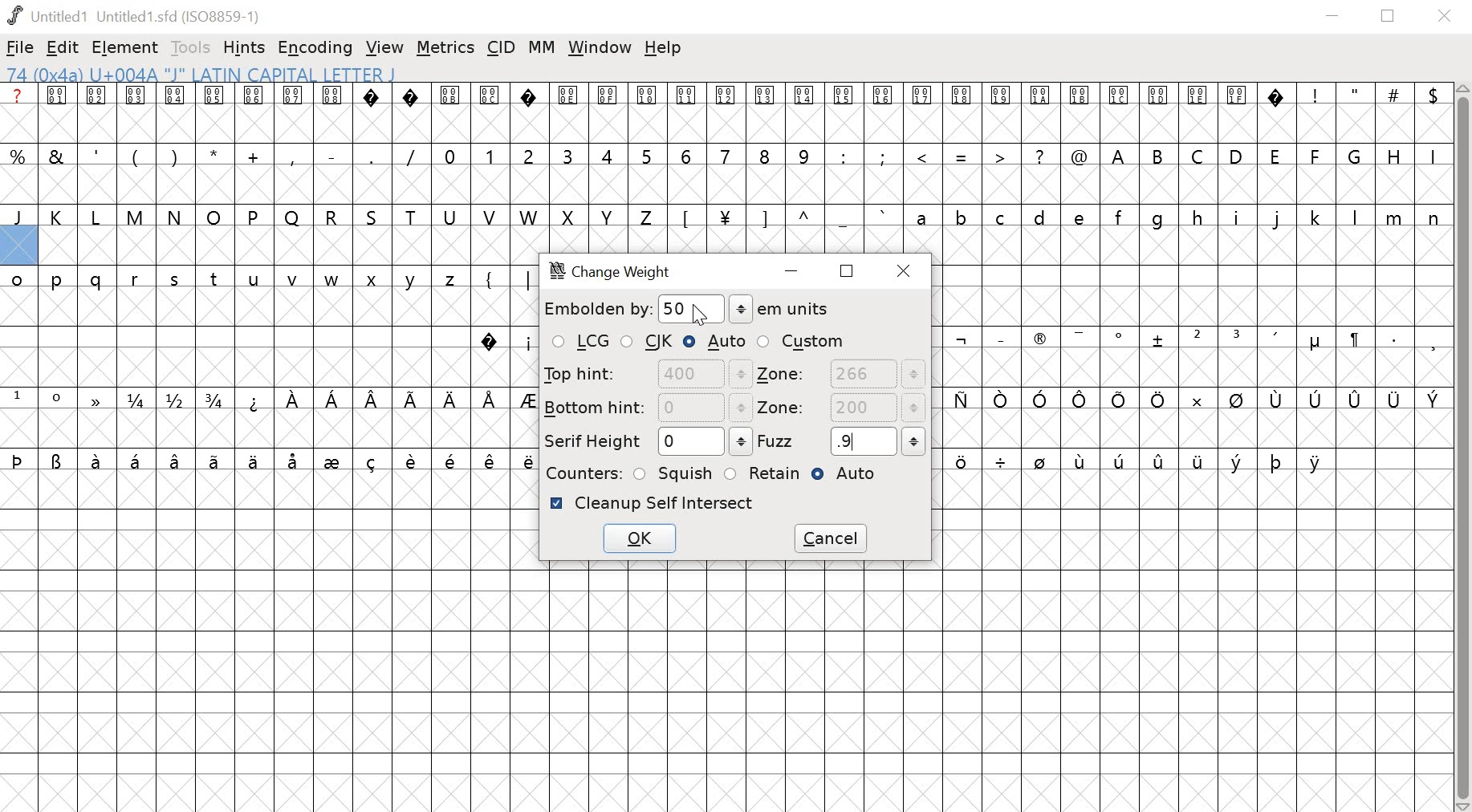 The image size is (1472, 812). I want to click on CUSTOM, so click(802, 341).